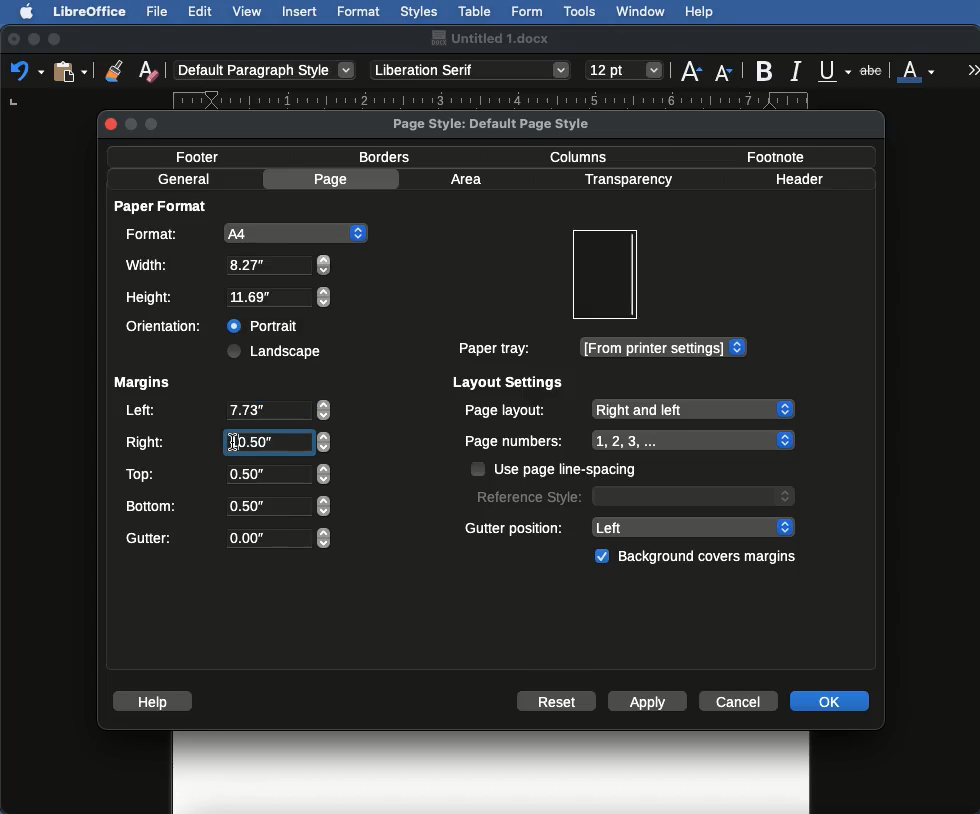  I want to click on Size decrease, so click(728, 72).